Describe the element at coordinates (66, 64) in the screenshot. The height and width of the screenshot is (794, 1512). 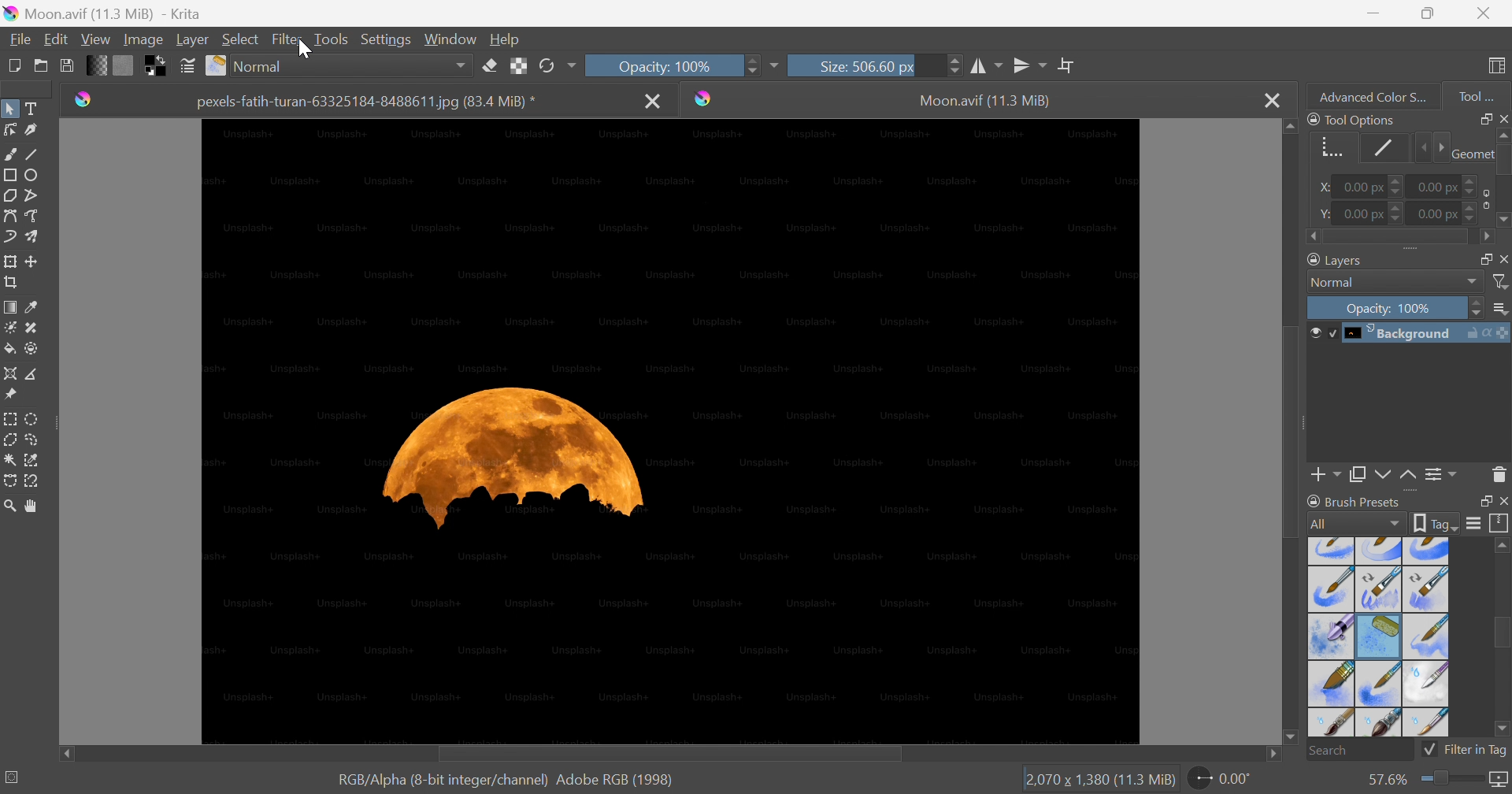
I see `Save` at that location.